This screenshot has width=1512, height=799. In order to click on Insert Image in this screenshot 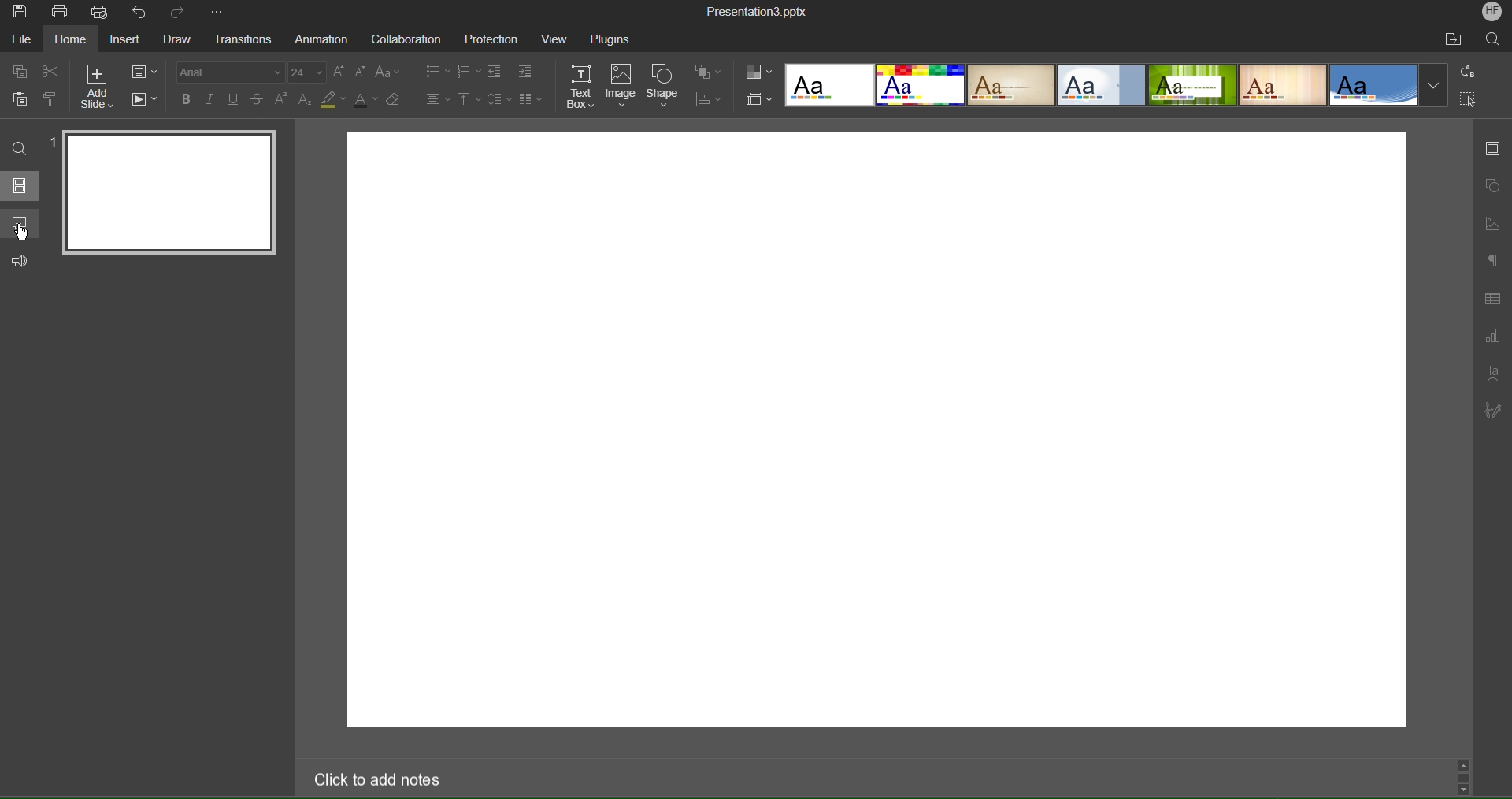, I will do `click(1493, 225)`.